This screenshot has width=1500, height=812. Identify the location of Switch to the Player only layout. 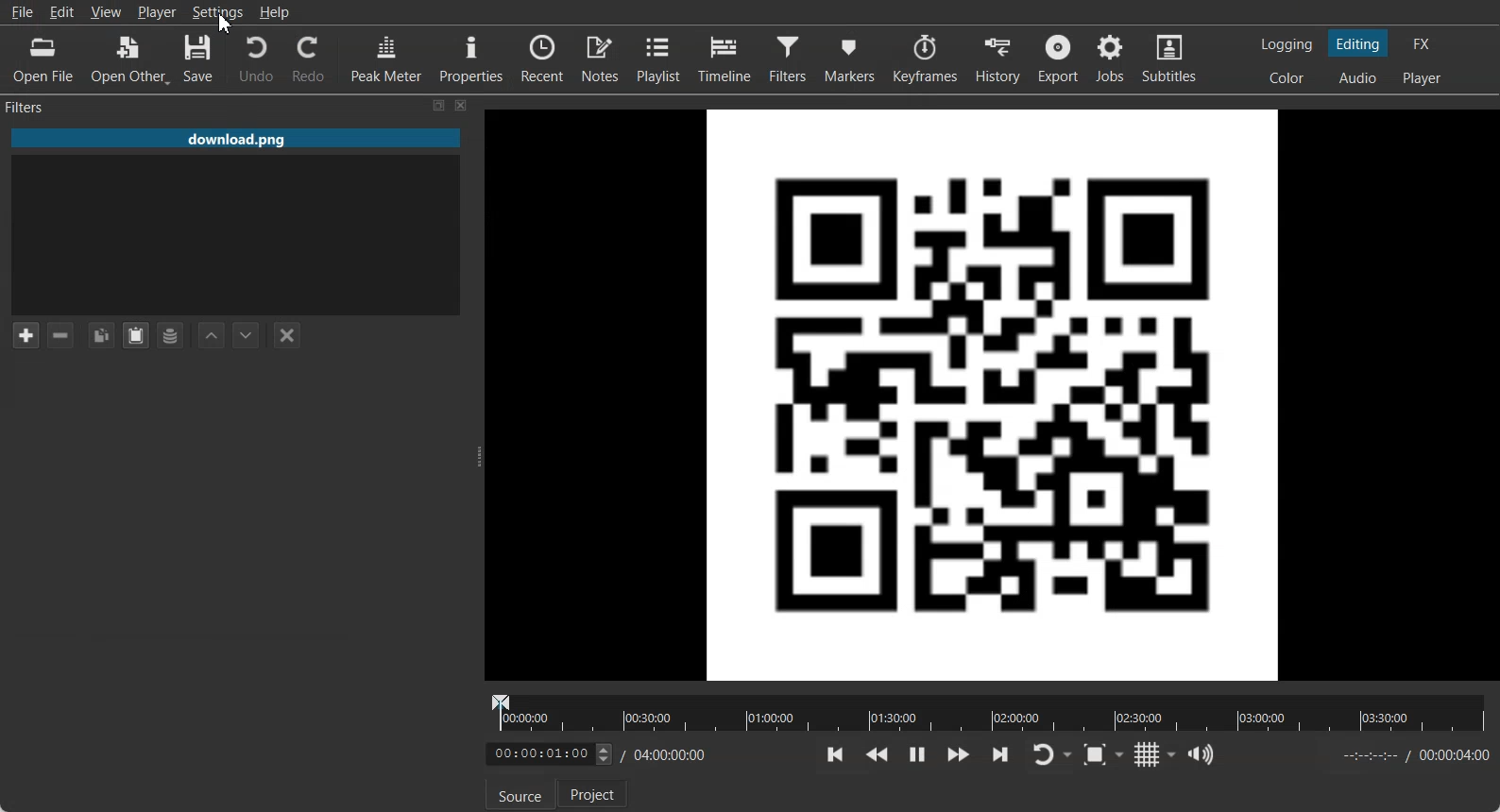
(1423, 79).